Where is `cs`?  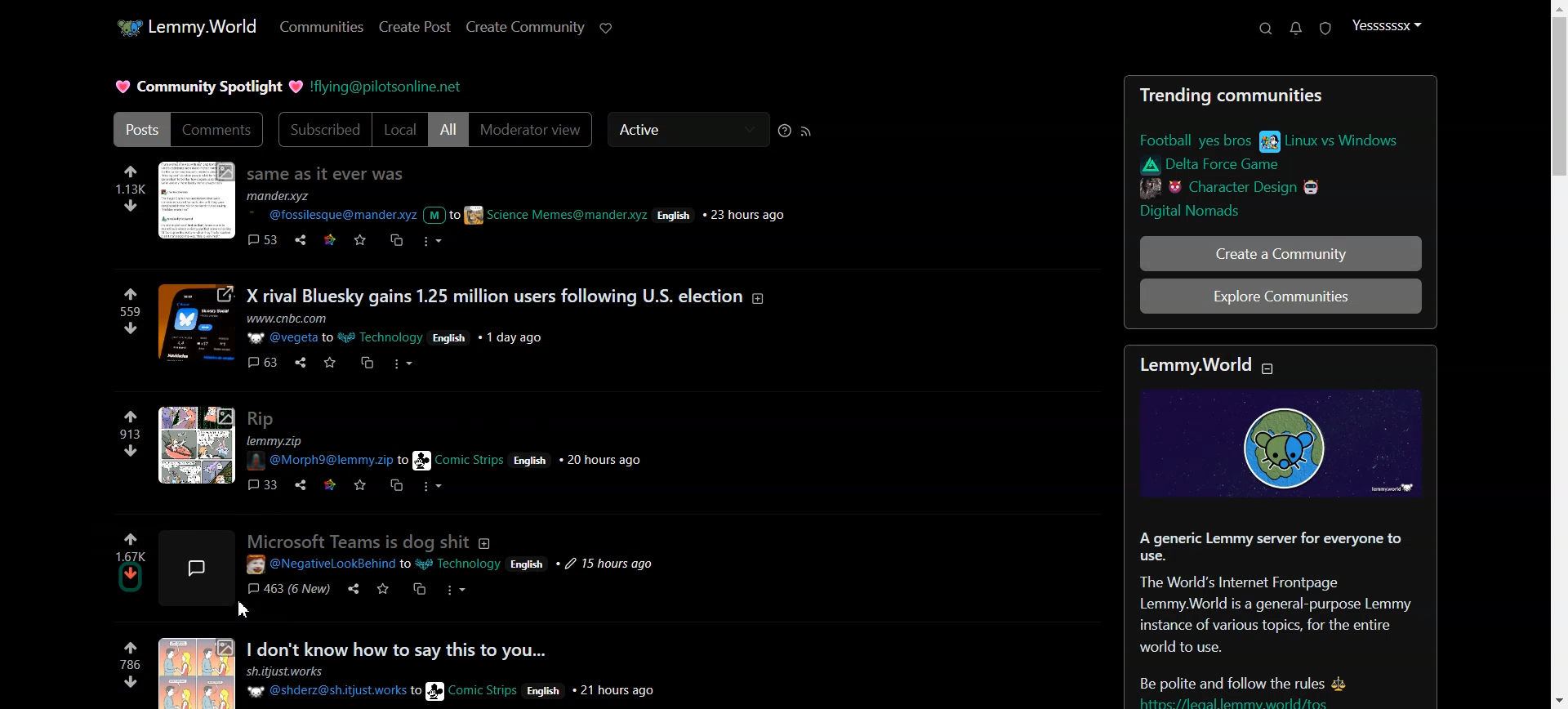
cs is located at coordinates (395, 239).